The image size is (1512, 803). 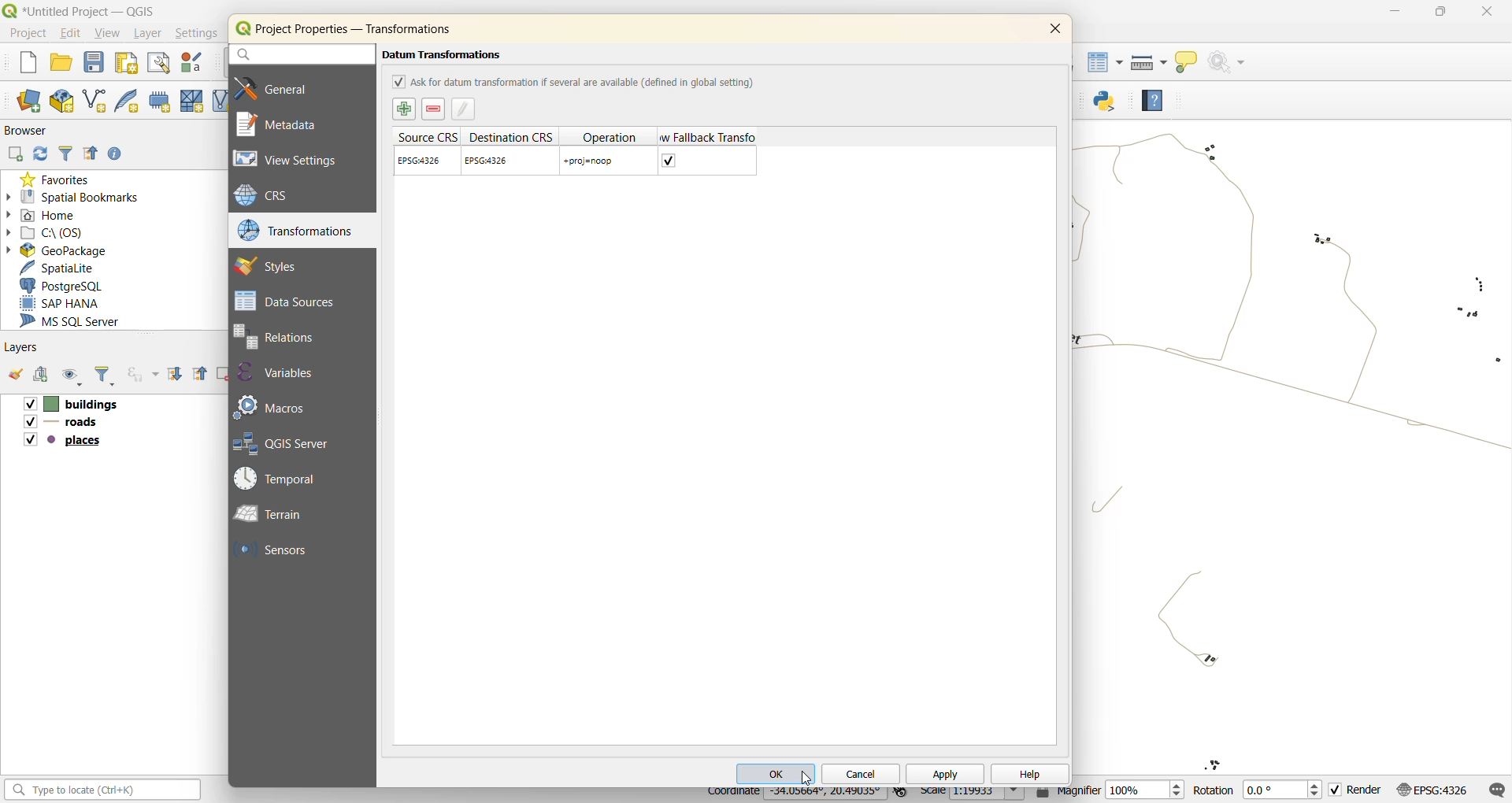 I want to click on browser, so click(x=31, y=133).